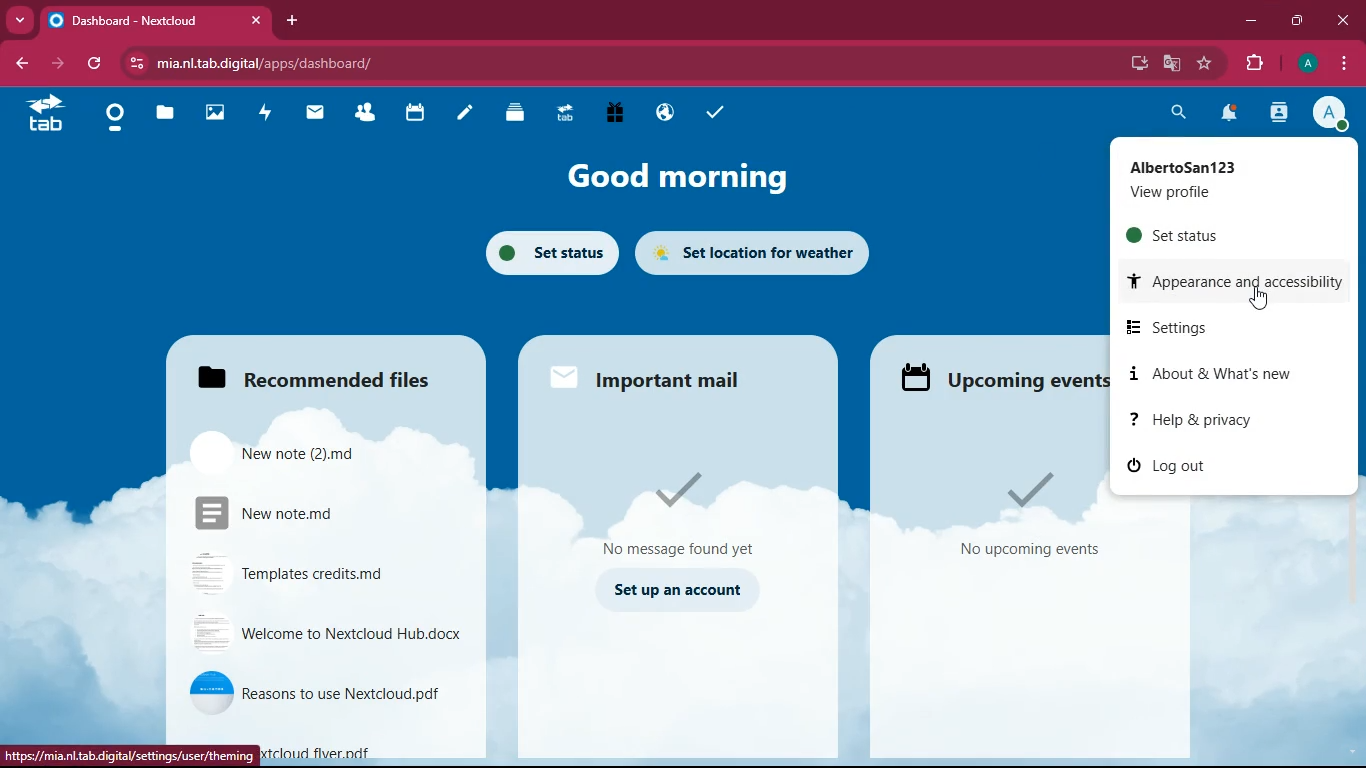 This screenshot has height=768, width=1366. What do you see at coordinates (1190, 421) in the screenshot?
I see `help` at bounding box center [1190, 421].